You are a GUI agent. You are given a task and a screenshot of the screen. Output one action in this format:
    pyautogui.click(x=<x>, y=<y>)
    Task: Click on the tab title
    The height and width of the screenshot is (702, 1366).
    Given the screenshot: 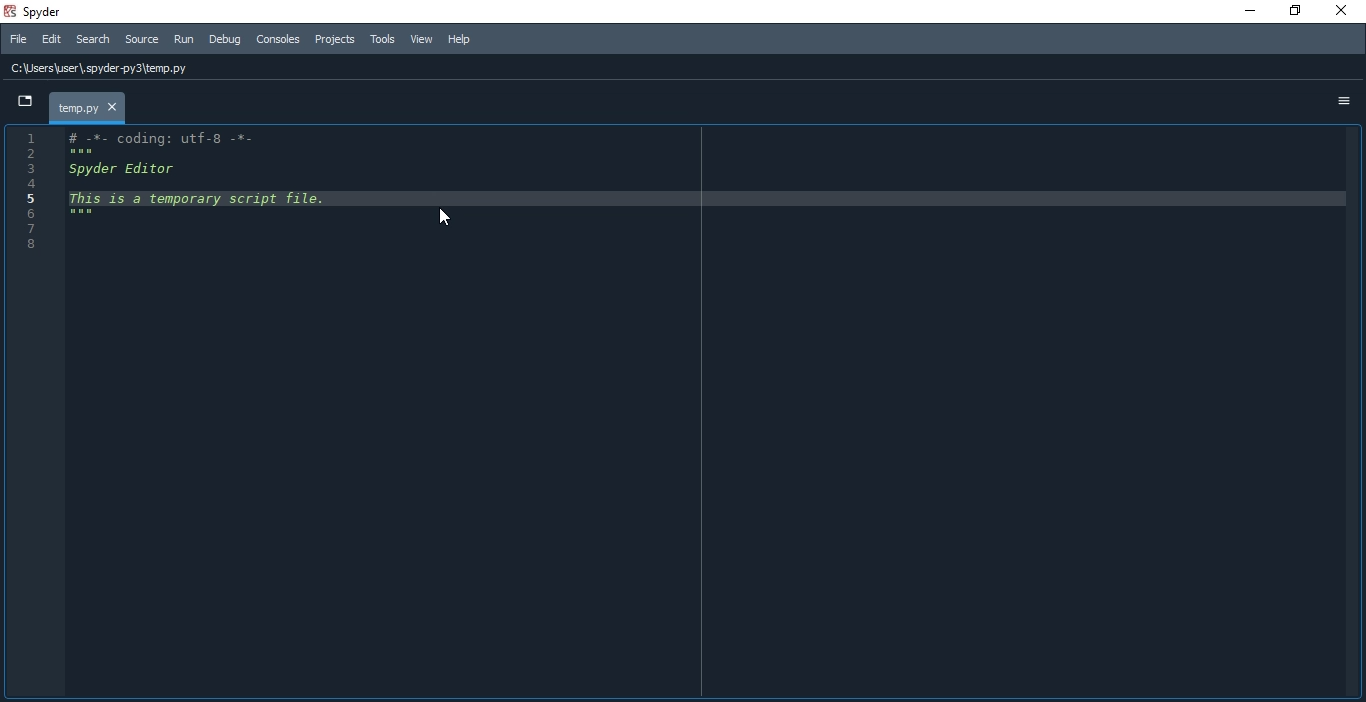 What is the action you would take?
    pyautogui.click(x=87, y=106)
    